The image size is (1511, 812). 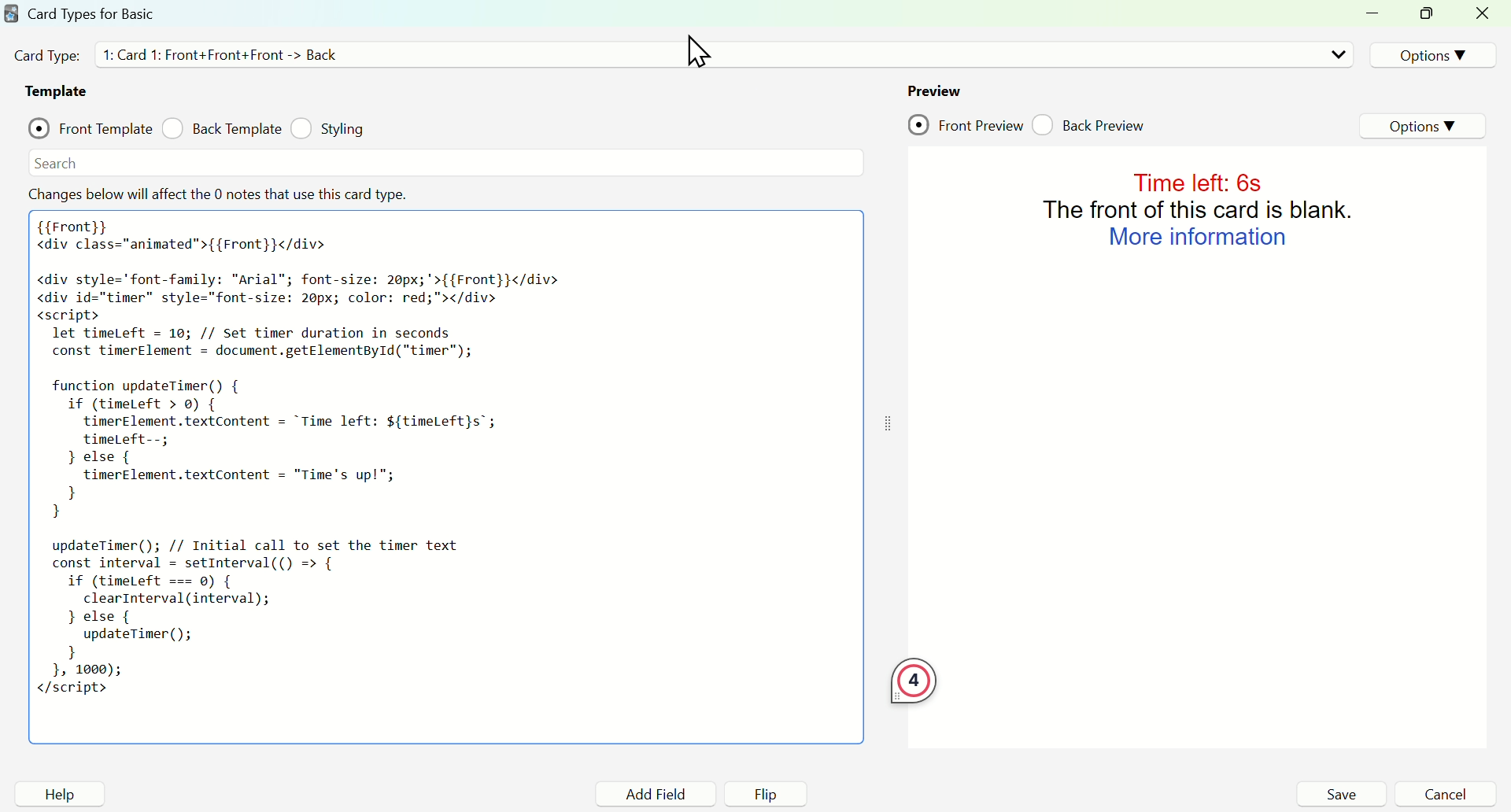 I want to click on More information, so click(x=1198, y=237).